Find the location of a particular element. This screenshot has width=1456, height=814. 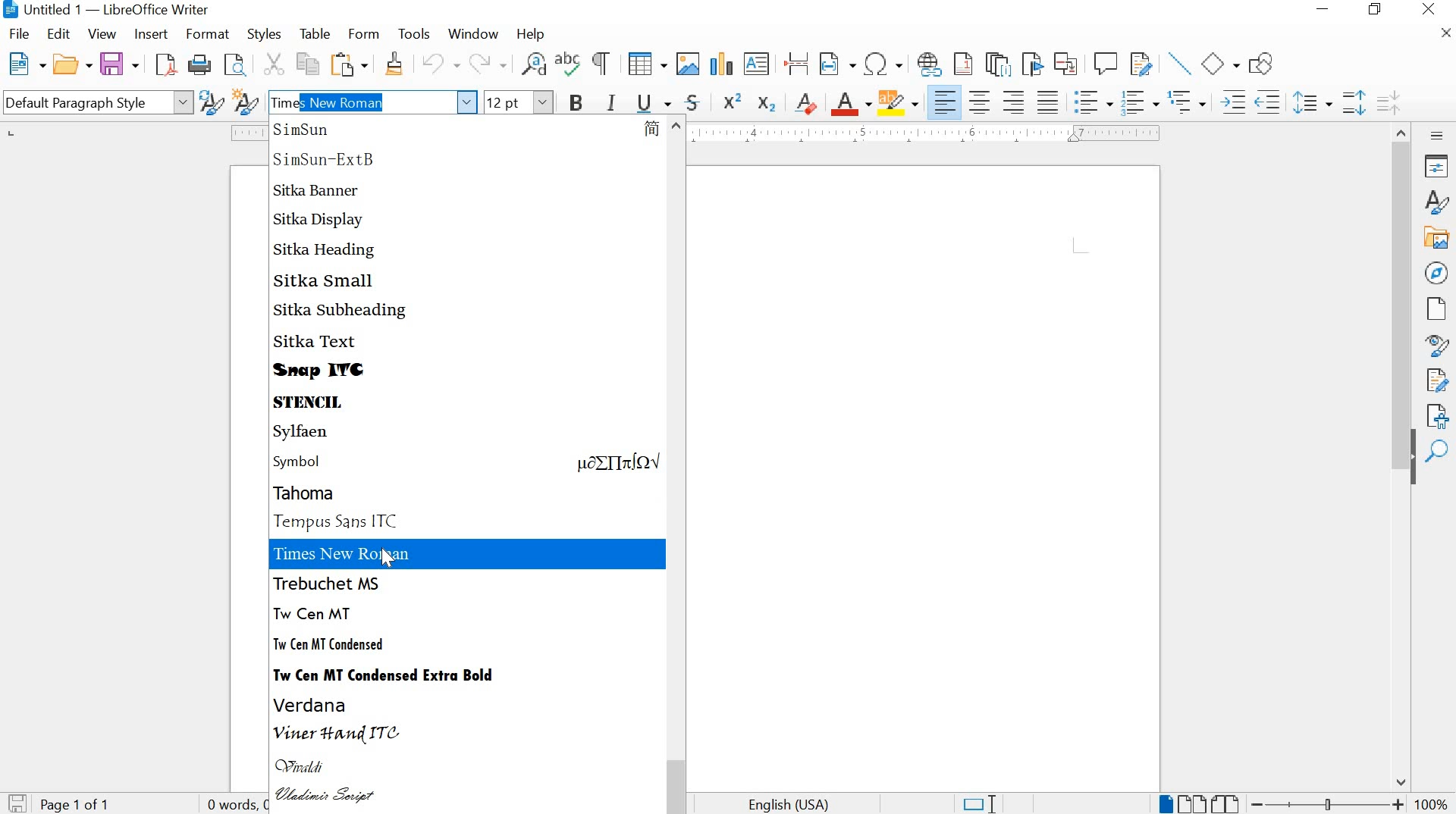

SELECT OUTLINE FORMAT is located at coordinates (1187, 102).